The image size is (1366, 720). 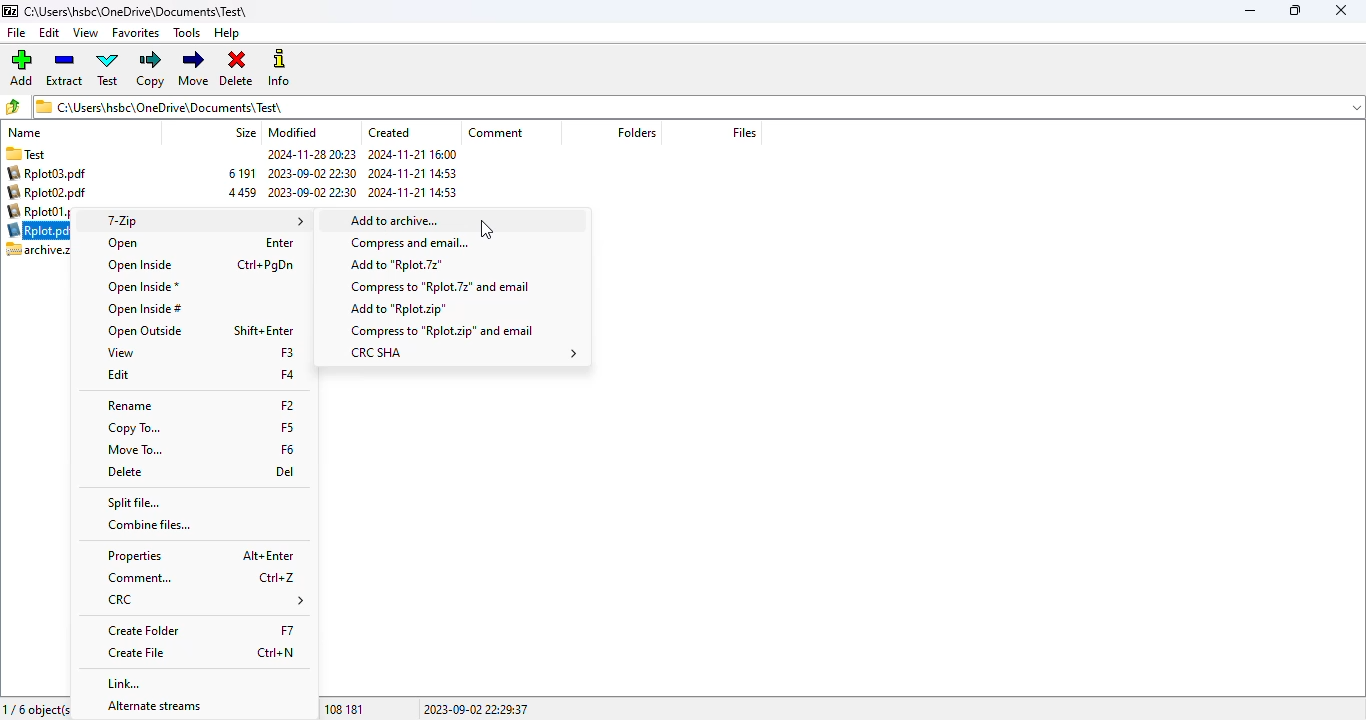 What do you see at coordinates (131, 405) in the screenshot?
I see `rename` at bounding box center [131, 405].